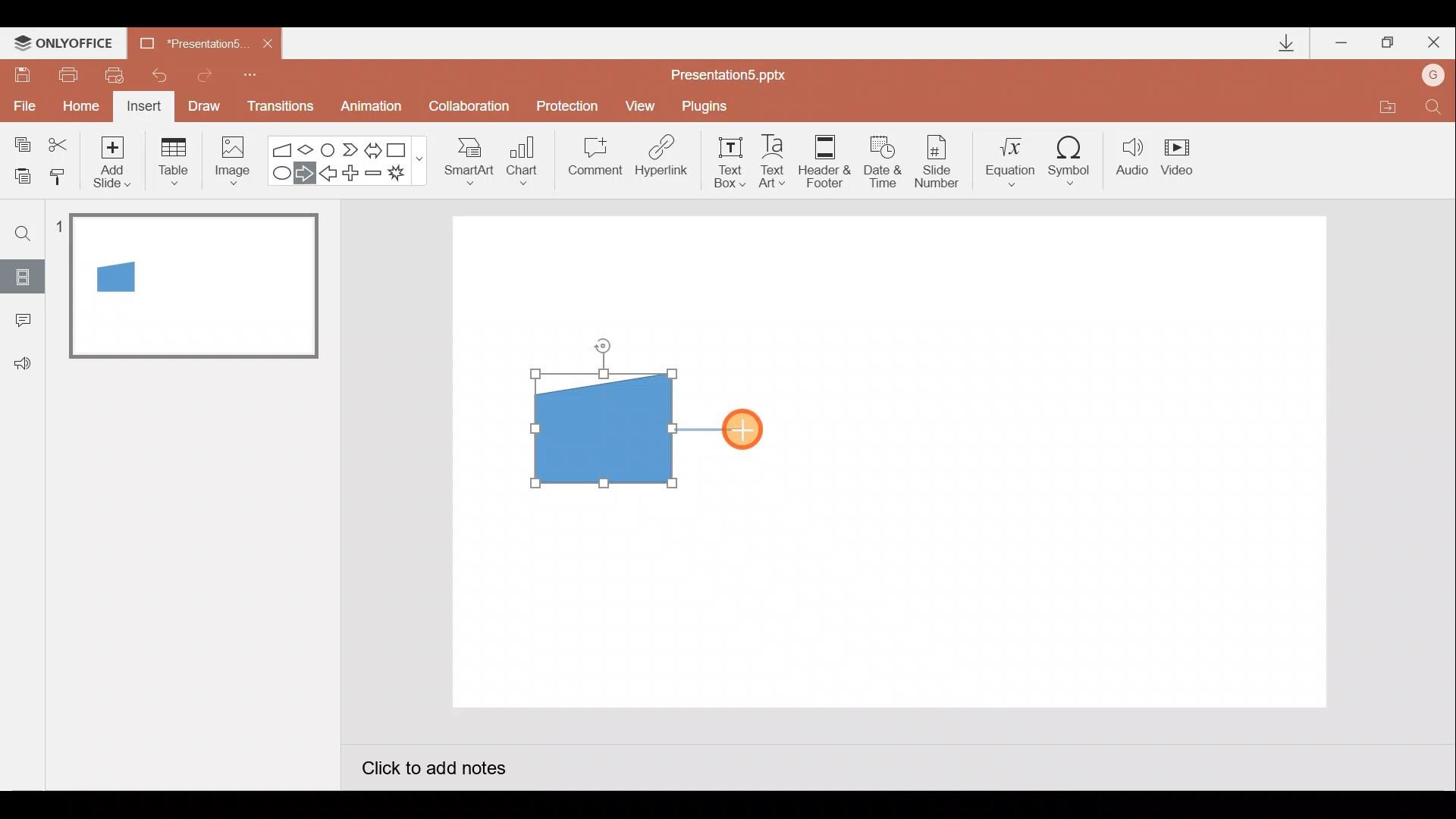 This screenshot has height=819, width=1456. What do you see at coordinates (250, 73) in the screenshot?
I see `Customize quick access toolbar` at bounding box center [250, 73].